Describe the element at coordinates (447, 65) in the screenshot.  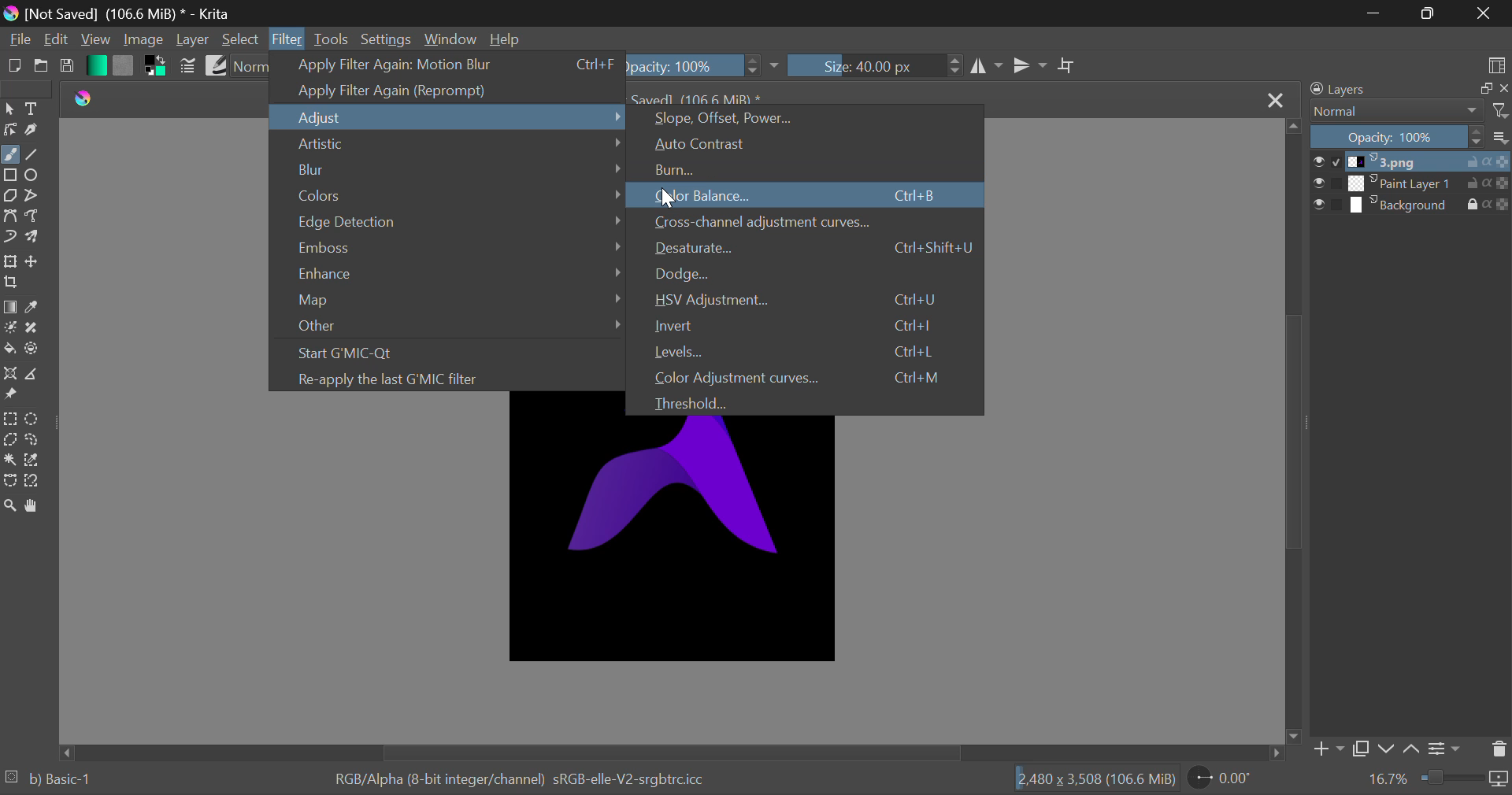
I see `Apply Filter Again` at that location.